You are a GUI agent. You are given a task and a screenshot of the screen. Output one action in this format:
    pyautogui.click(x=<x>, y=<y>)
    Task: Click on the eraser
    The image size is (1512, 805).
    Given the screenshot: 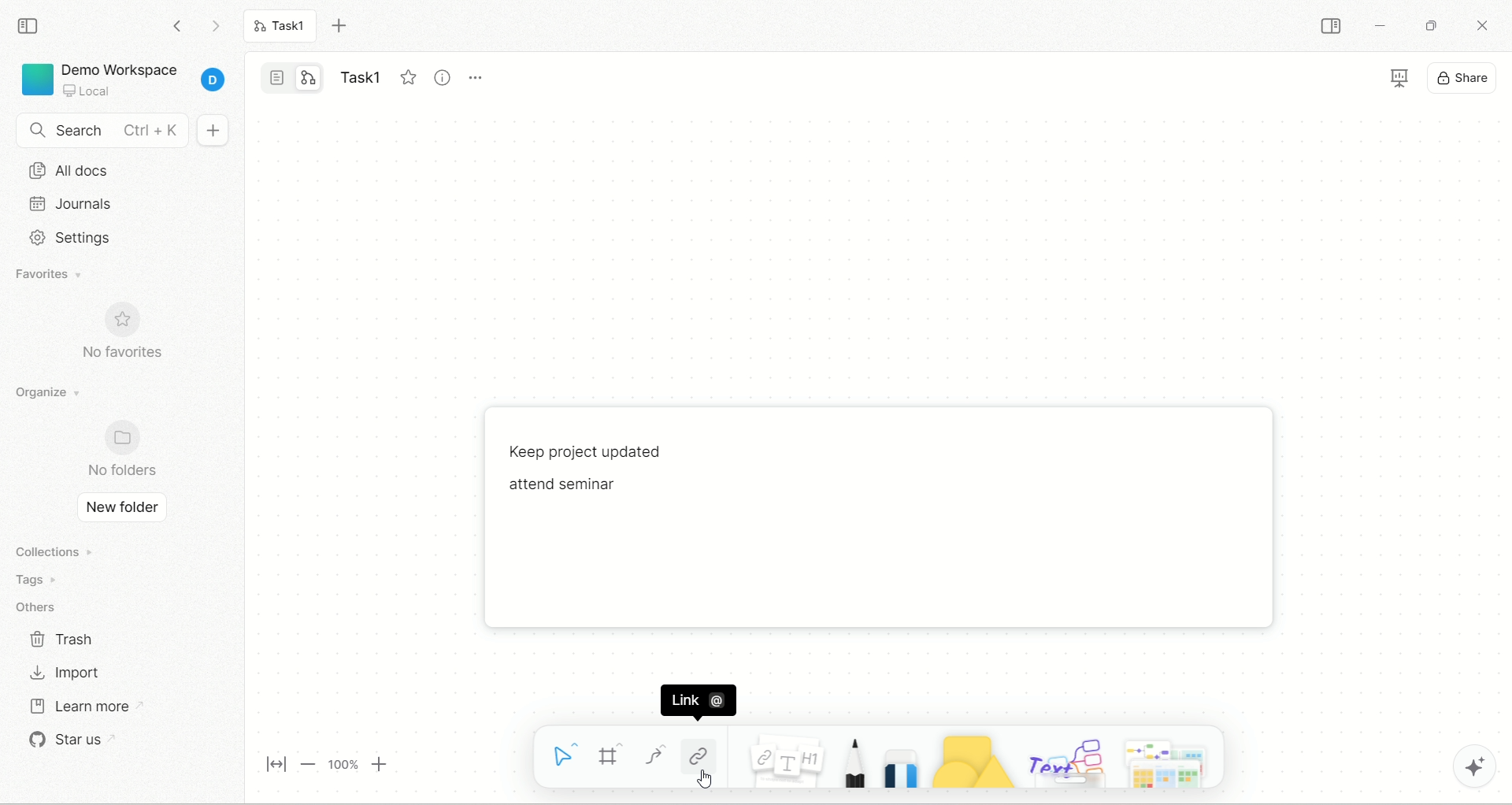 What is the action you would take?
    pyautogui.click(x=900, y=768)
    